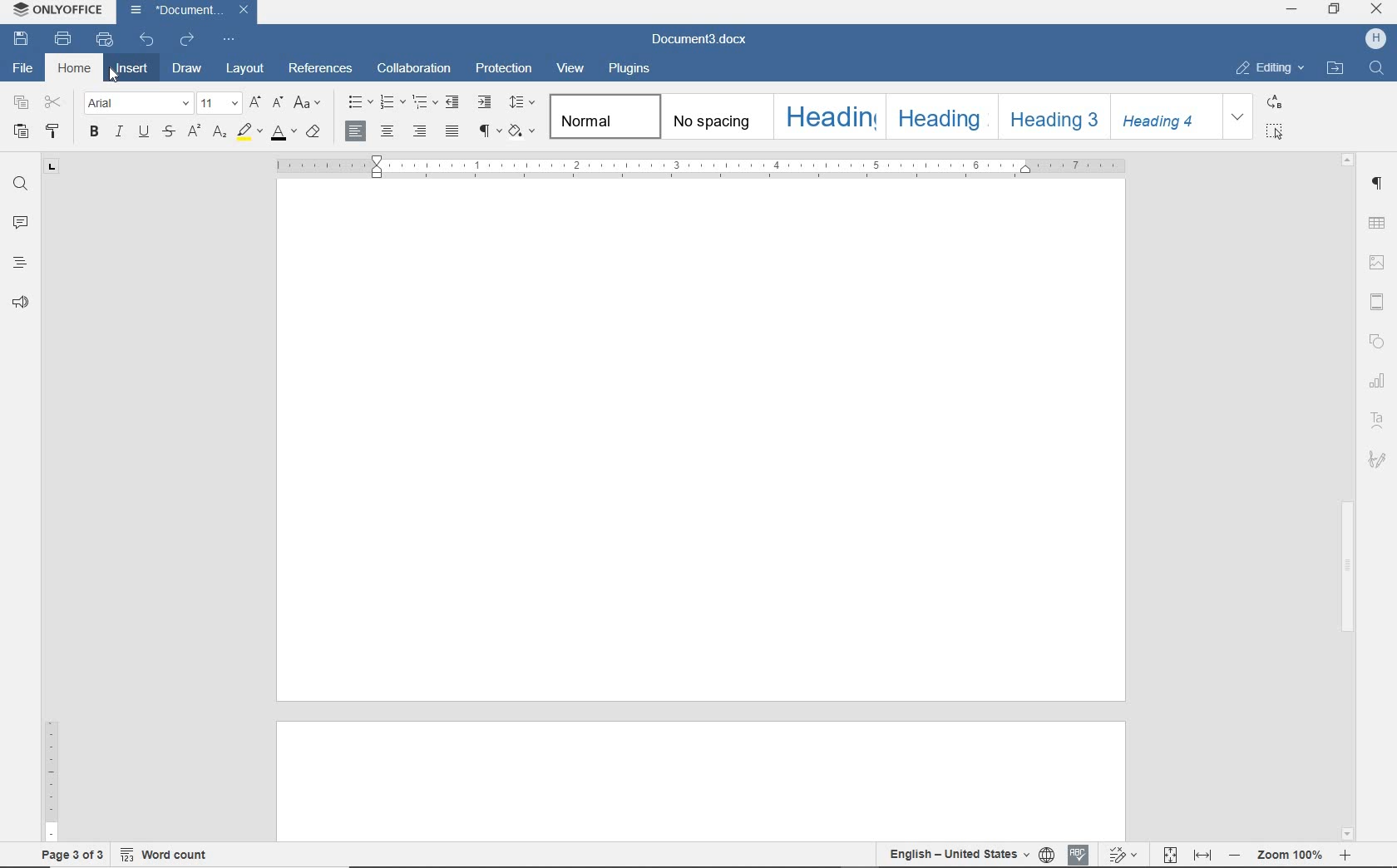 The image size is (1397, 868). What do you see at coordinates (486, 130) in the screenshot?
I see `NONPRINTING CHARACTERS` at bounding box center [486, 130].